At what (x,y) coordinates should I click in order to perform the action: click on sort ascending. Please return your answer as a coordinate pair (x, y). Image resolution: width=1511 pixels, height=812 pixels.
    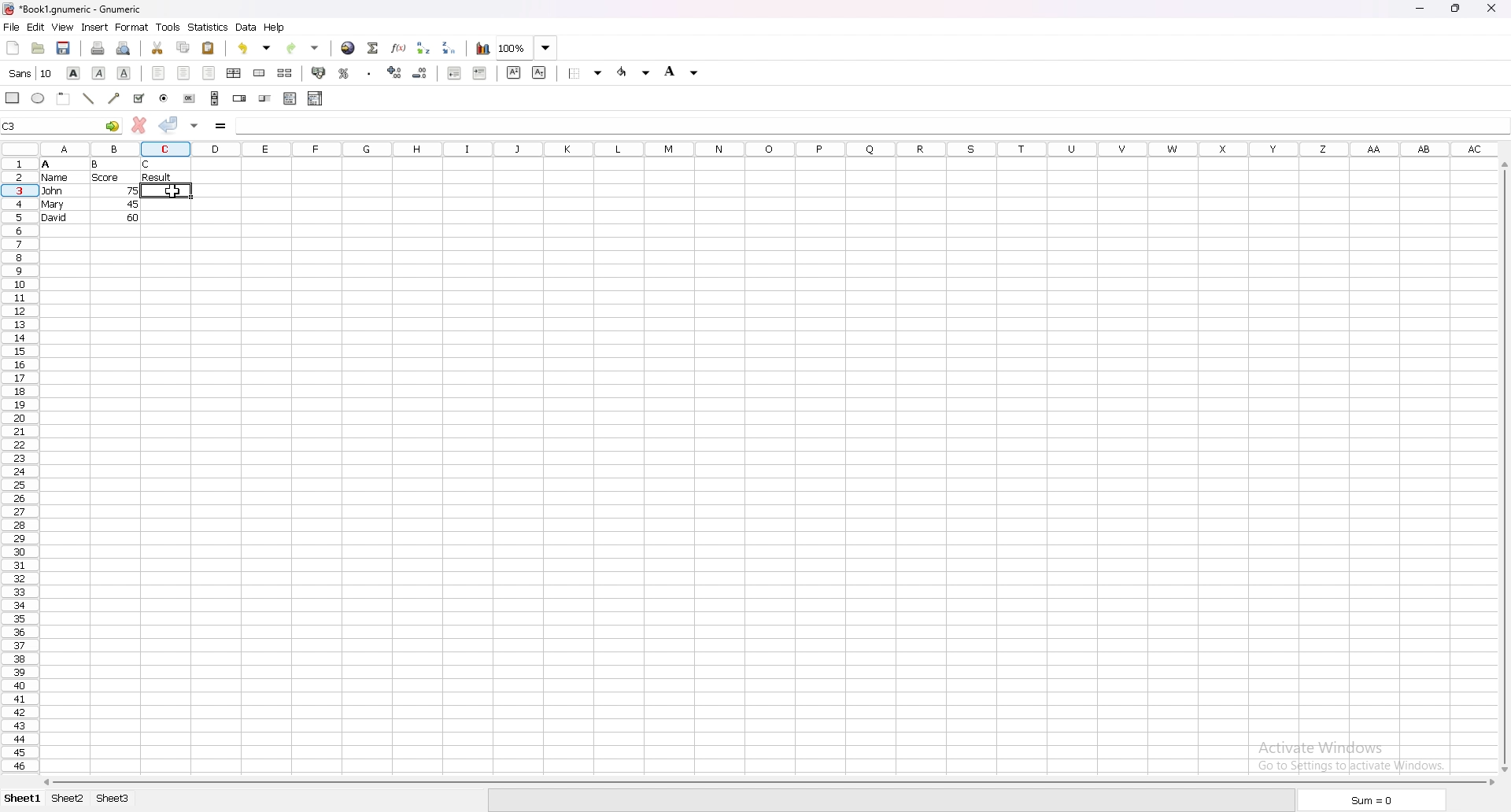
    Looking at the image, I should click on (423, 48).